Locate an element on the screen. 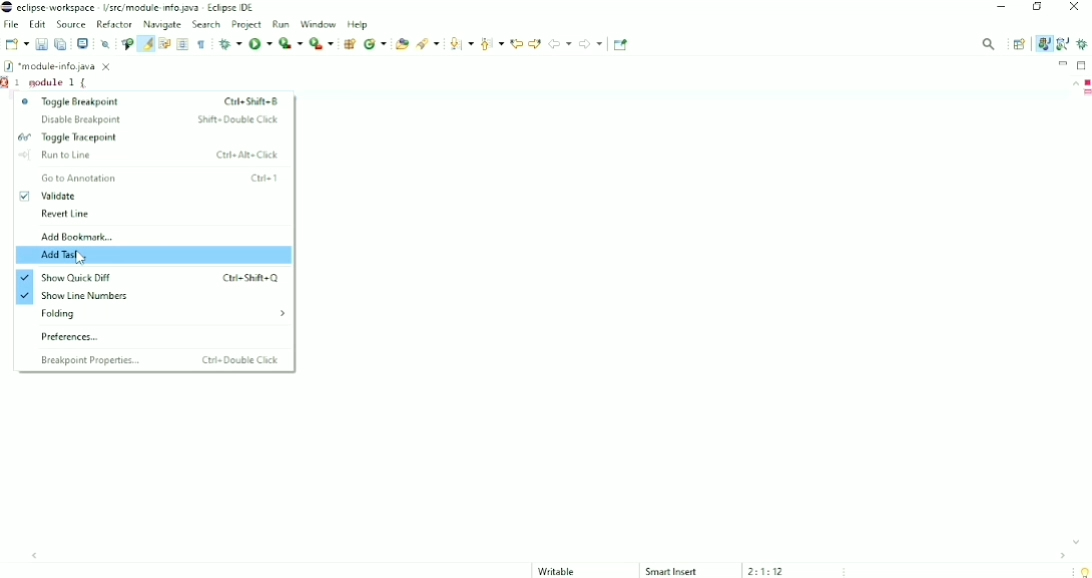 The height and width of the screenshot is (578, 1092). Show Quick Diff is located at coordinates (145, 277).